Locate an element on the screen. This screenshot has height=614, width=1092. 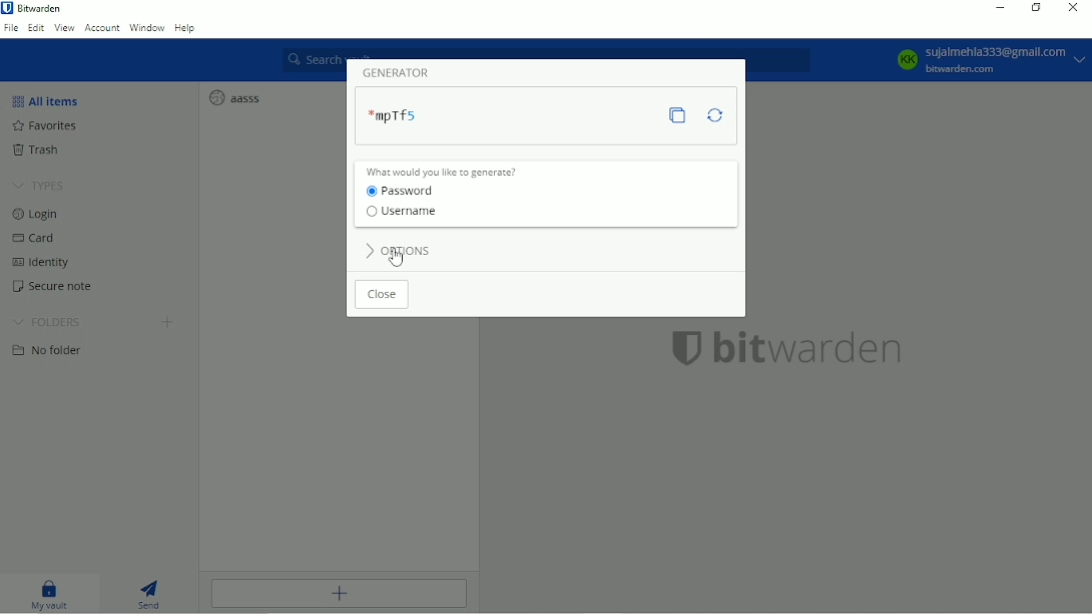
Trash is located at coordinates (44, 151).